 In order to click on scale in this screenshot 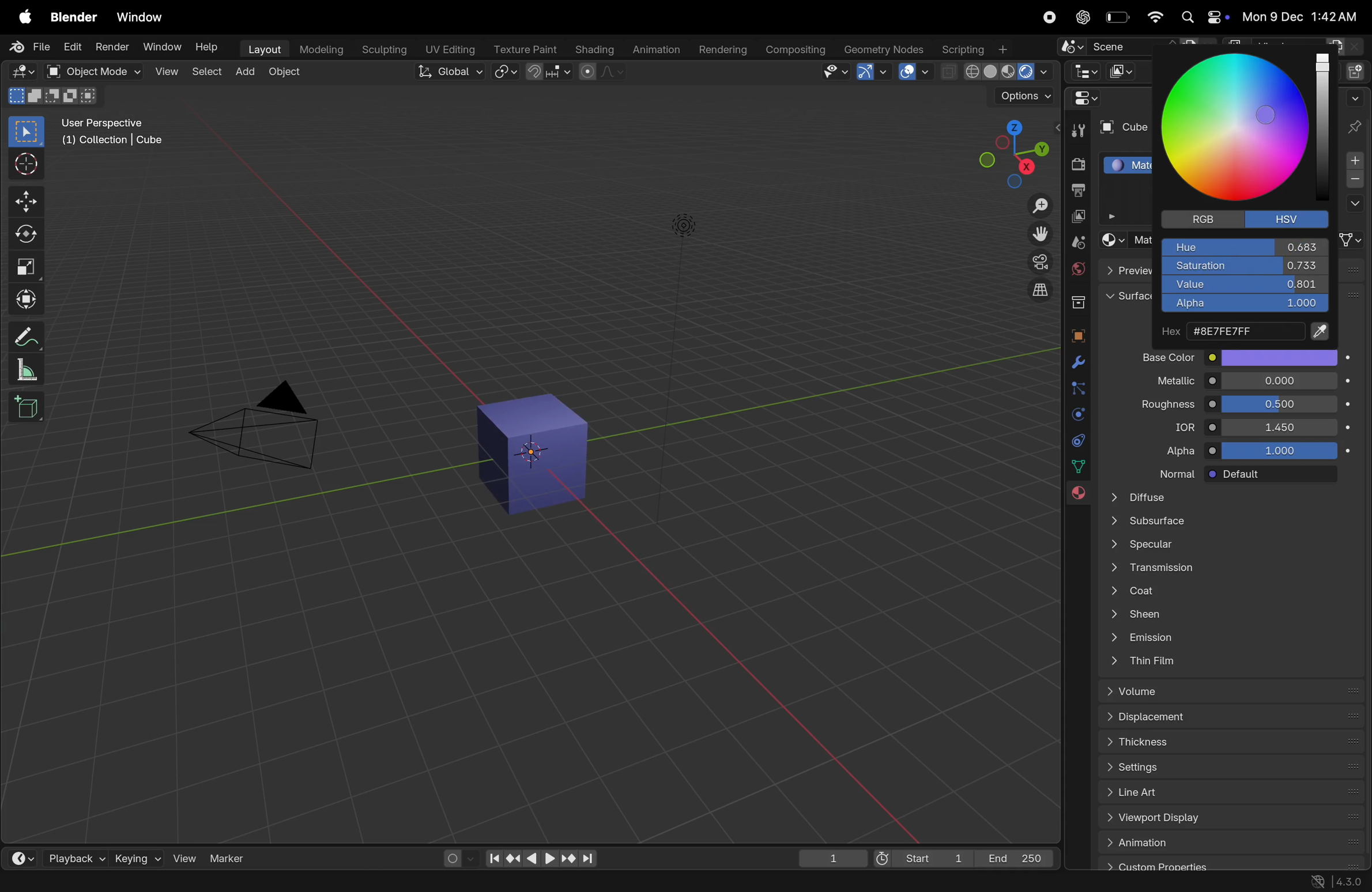, I will do `click(25, 266)`.